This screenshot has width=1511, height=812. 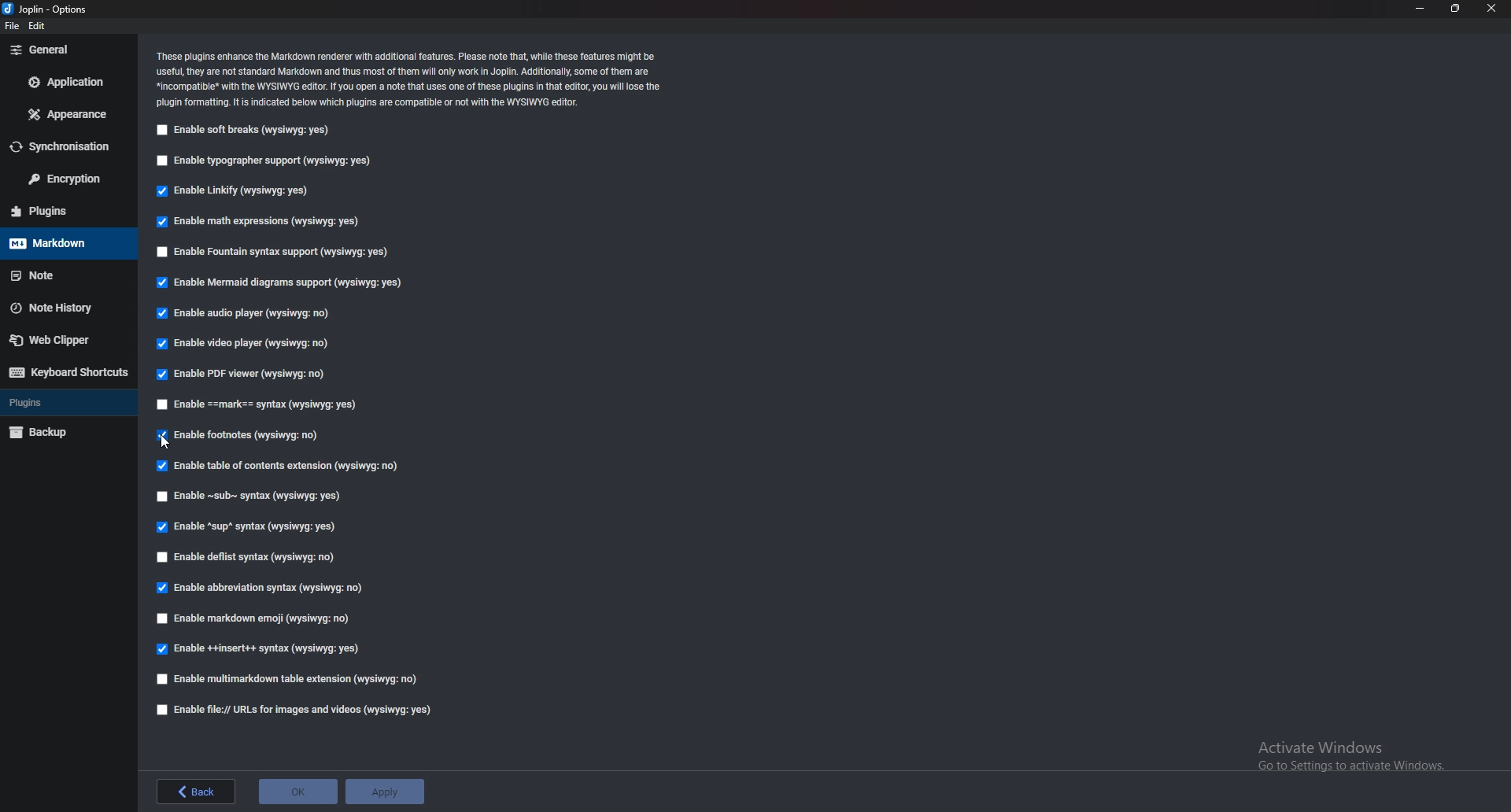 I want to click on ok, so click(x=300, y=792).